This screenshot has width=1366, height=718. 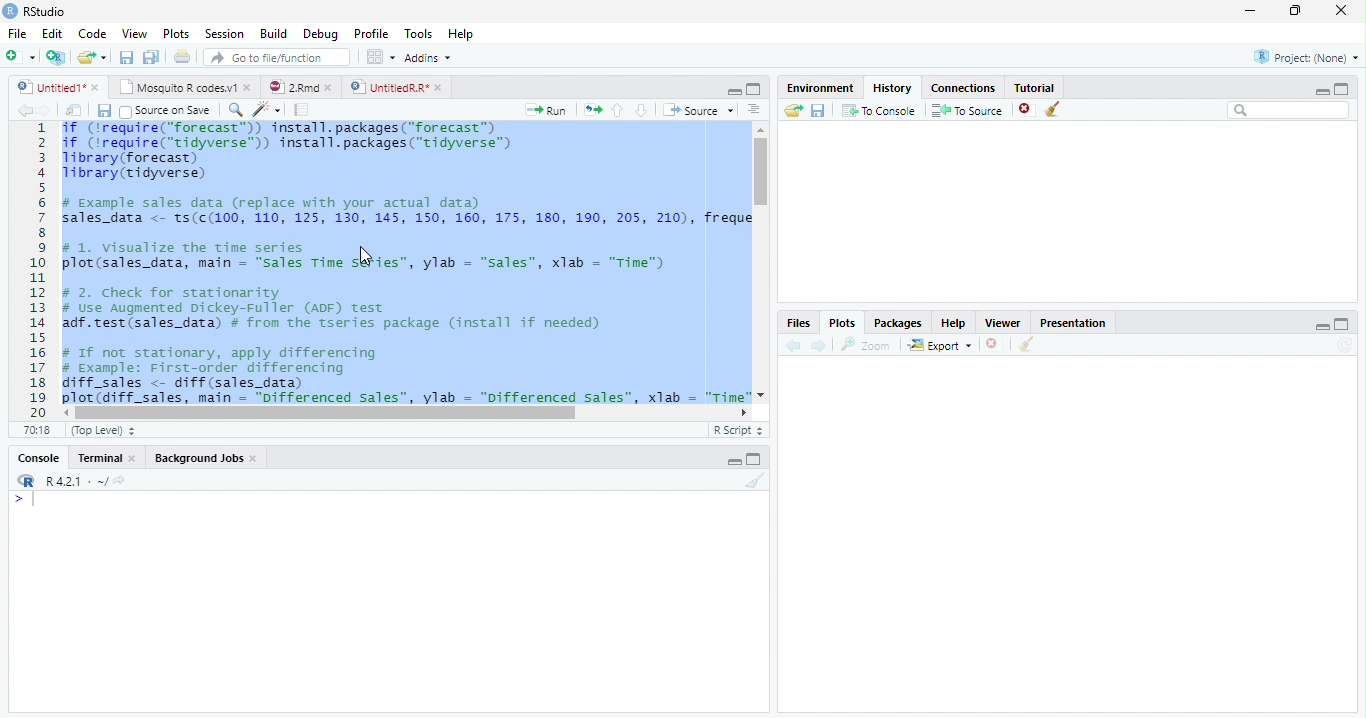 I want to click on Restore Down, so click(x=1296, y=12).